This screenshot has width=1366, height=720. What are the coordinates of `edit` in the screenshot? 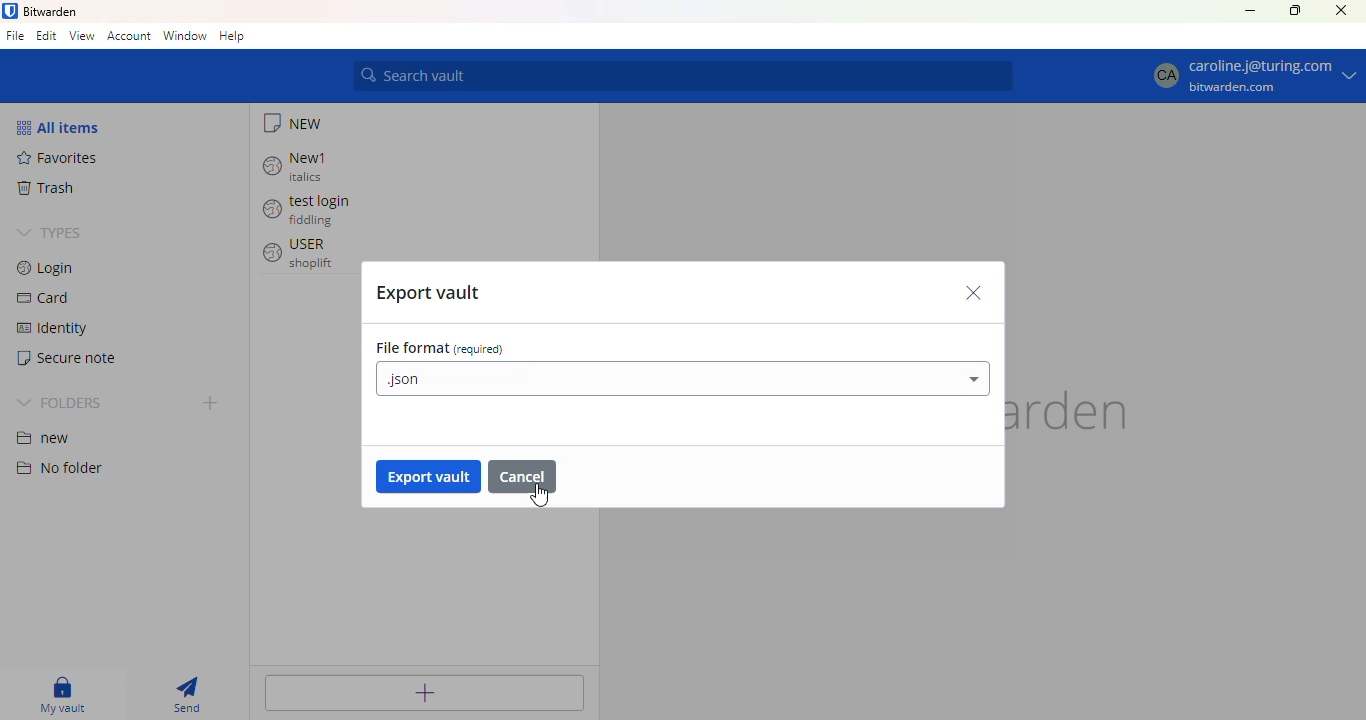 It's located at (46, 36).